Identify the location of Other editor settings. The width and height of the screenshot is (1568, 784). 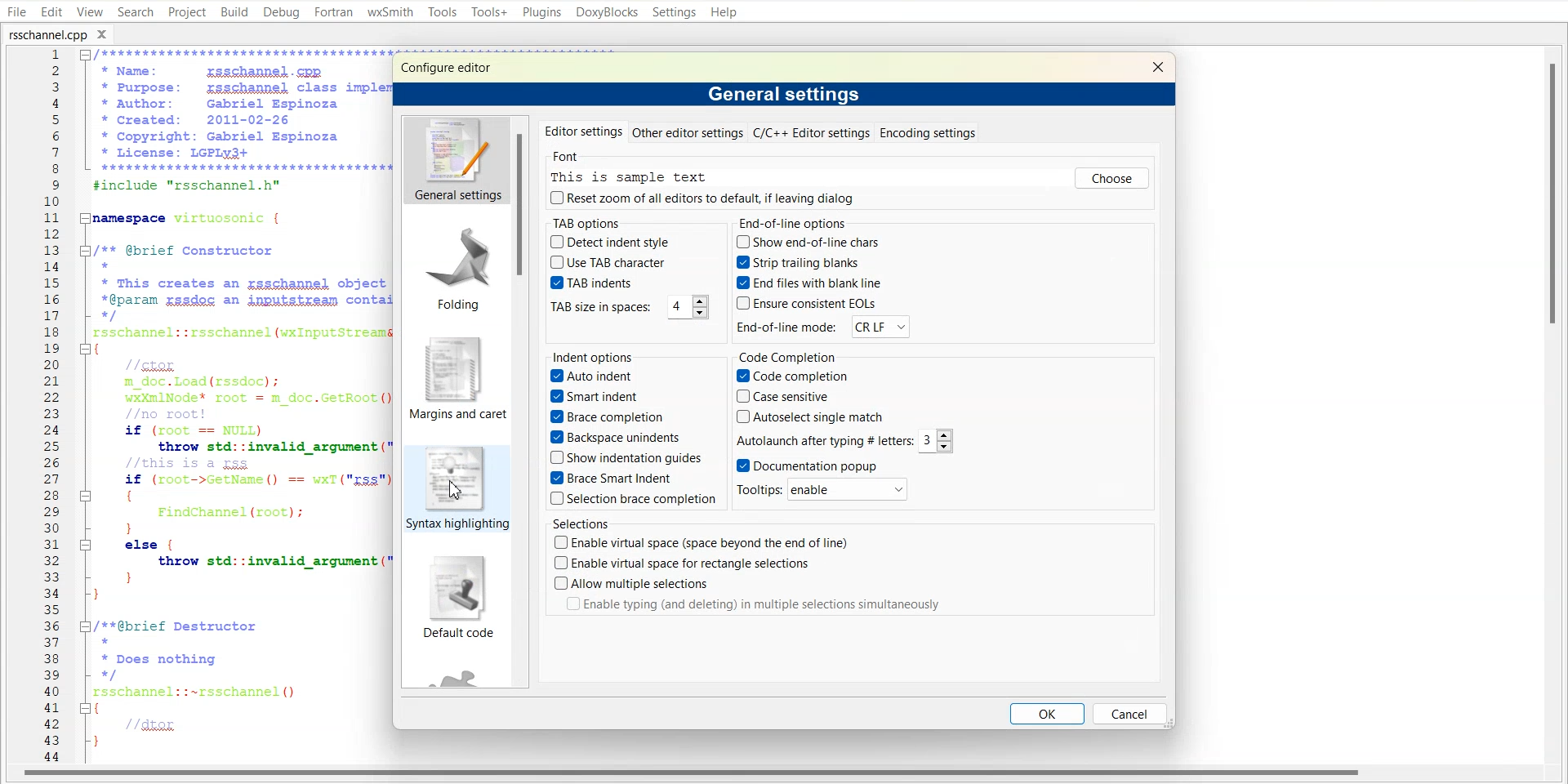
(688, 134).